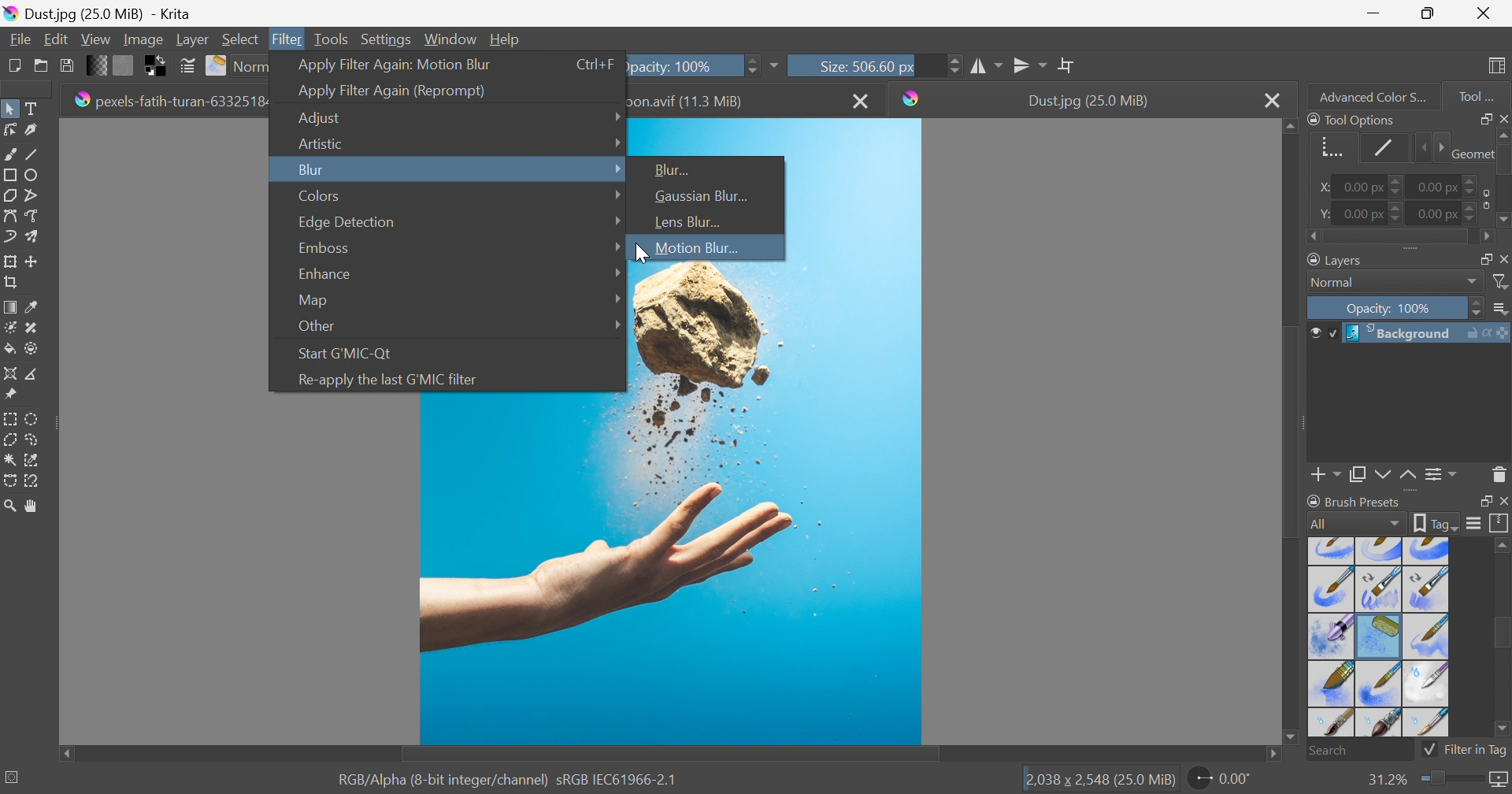 This screenshot has height=794, width=1512. Describe the element at coordinates (35, 109) in the screenshot. I see `Text tool` at that location.